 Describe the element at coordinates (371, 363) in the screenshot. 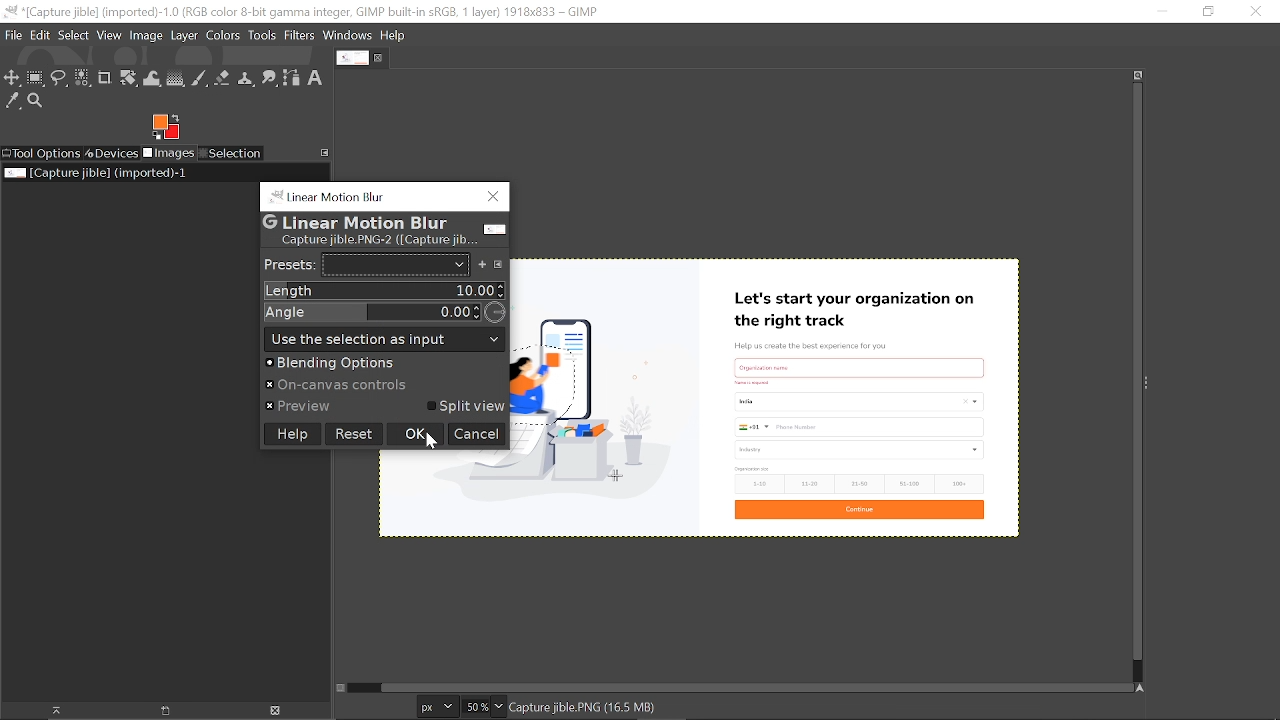

I see `Blending options` at that location.